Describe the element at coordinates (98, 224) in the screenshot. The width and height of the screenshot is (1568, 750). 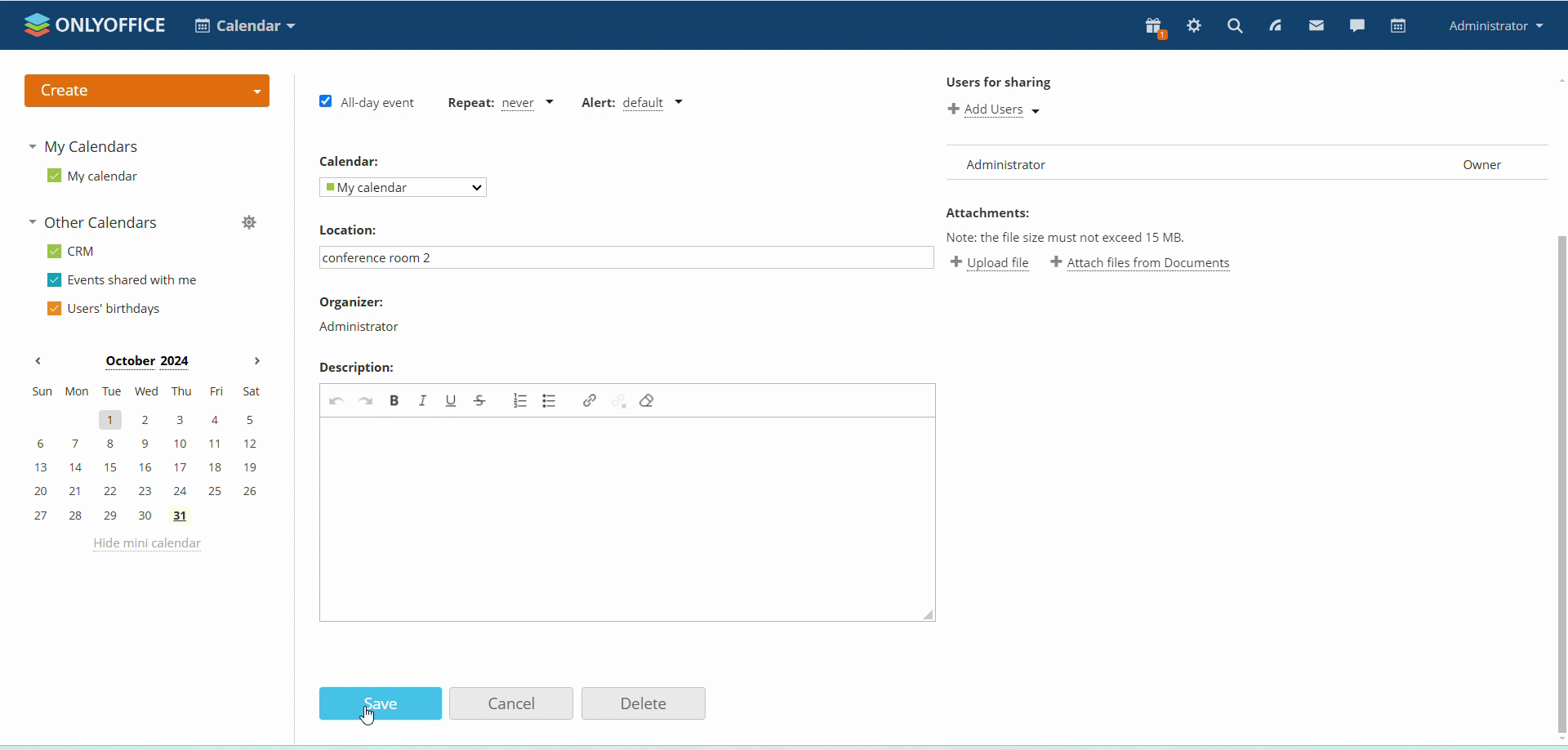
I see `other calendars` at that location.